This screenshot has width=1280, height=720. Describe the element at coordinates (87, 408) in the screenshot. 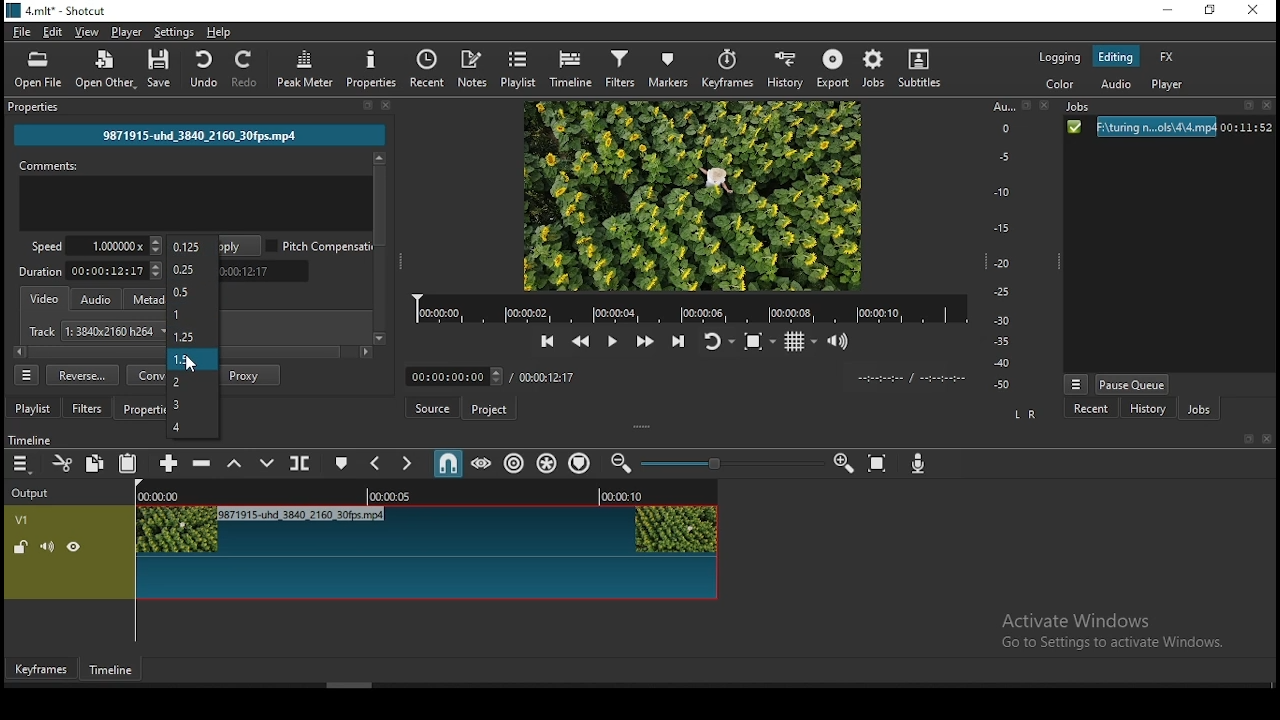

I see `filters` at that location.